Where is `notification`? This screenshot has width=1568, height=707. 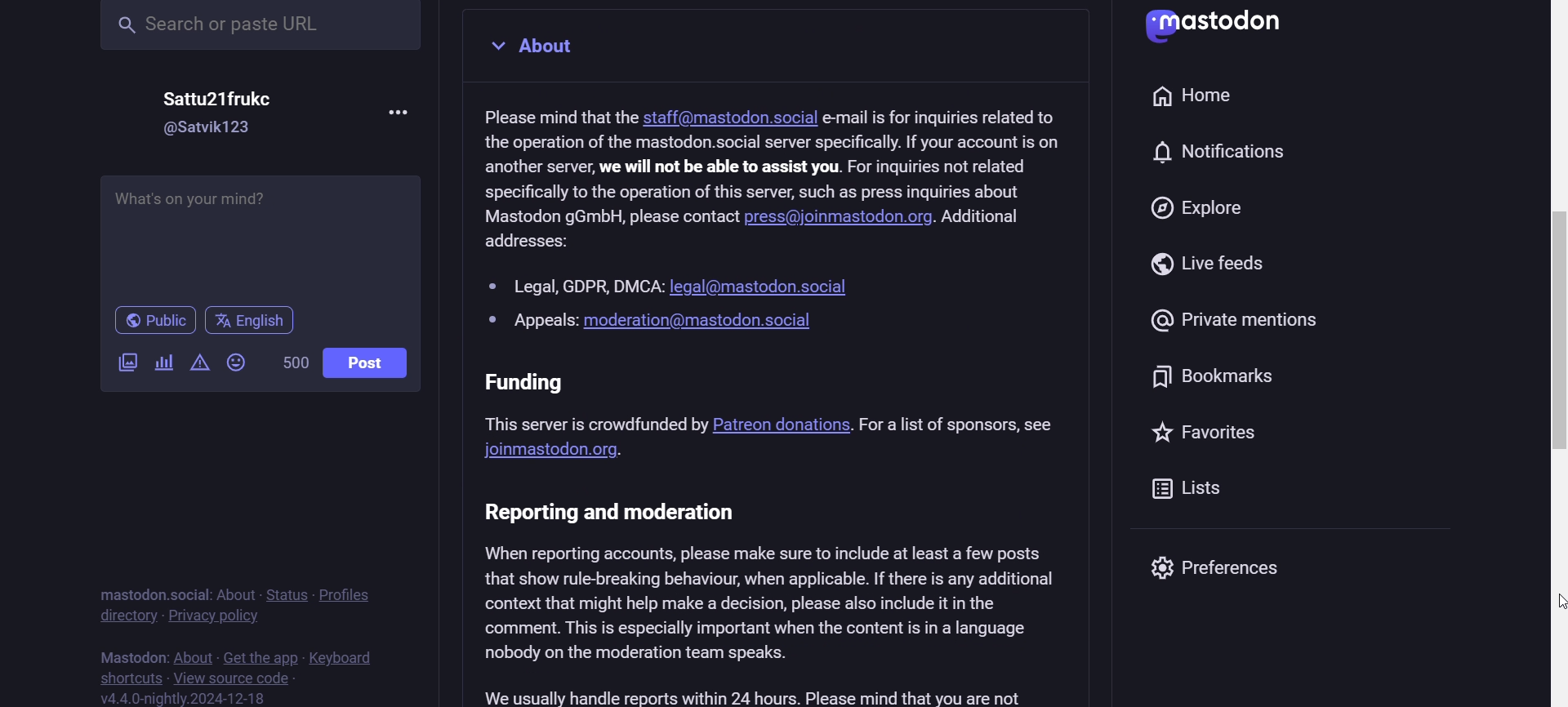 notification is located at coordinates (1230, 149).